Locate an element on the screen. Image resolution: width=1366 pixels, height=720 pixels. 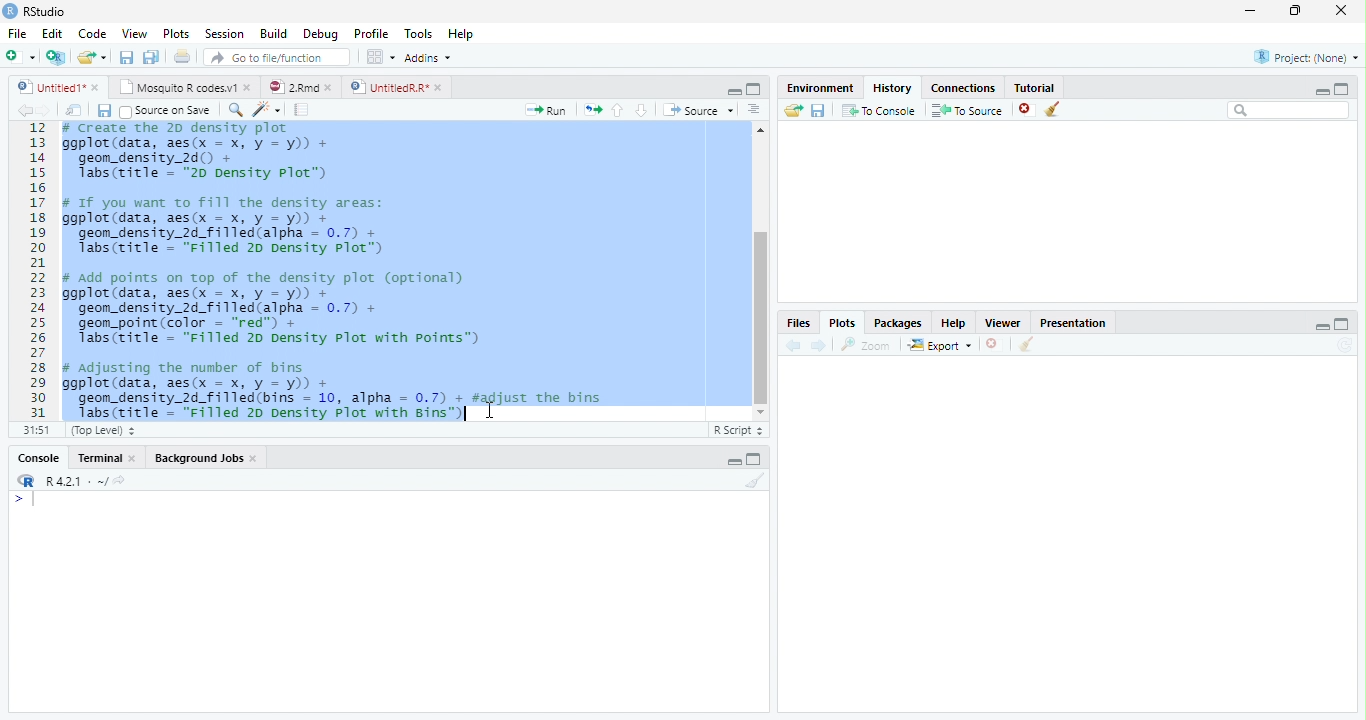
Files, is located at coordinates (795, 323).